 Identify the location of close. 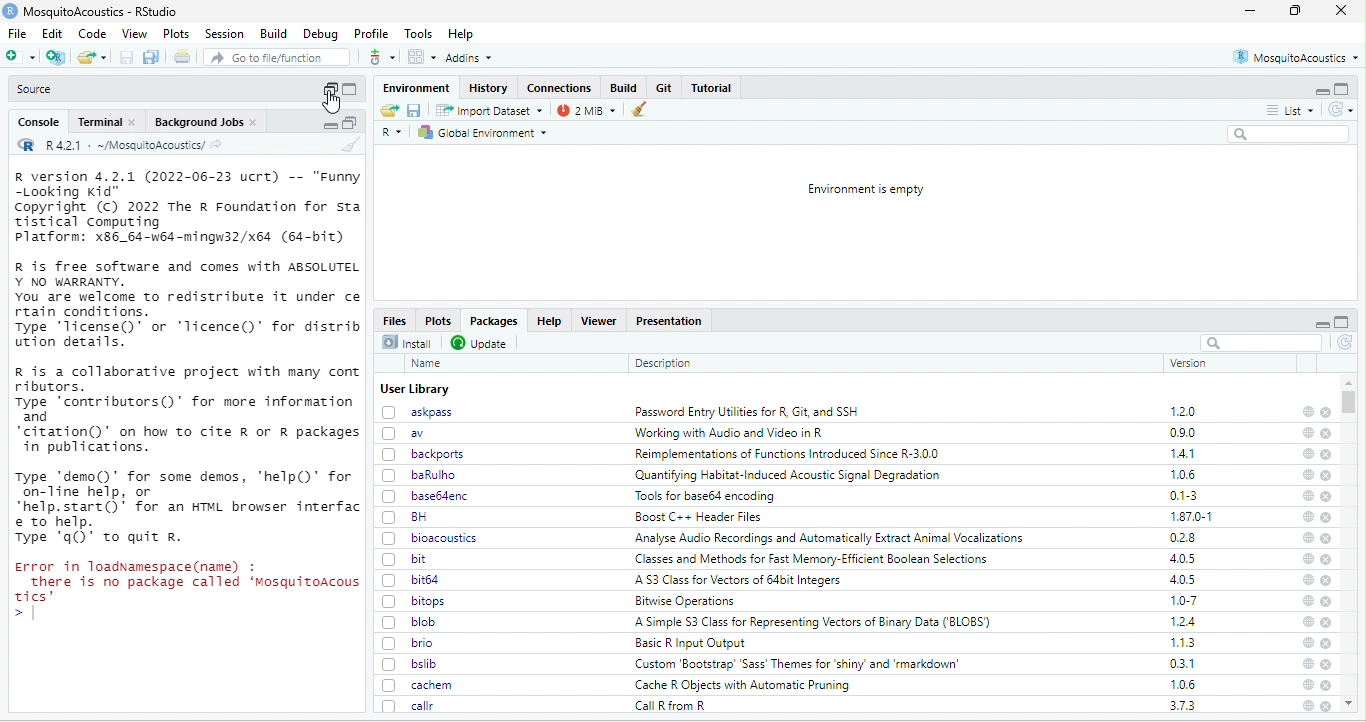
(1326, 664).